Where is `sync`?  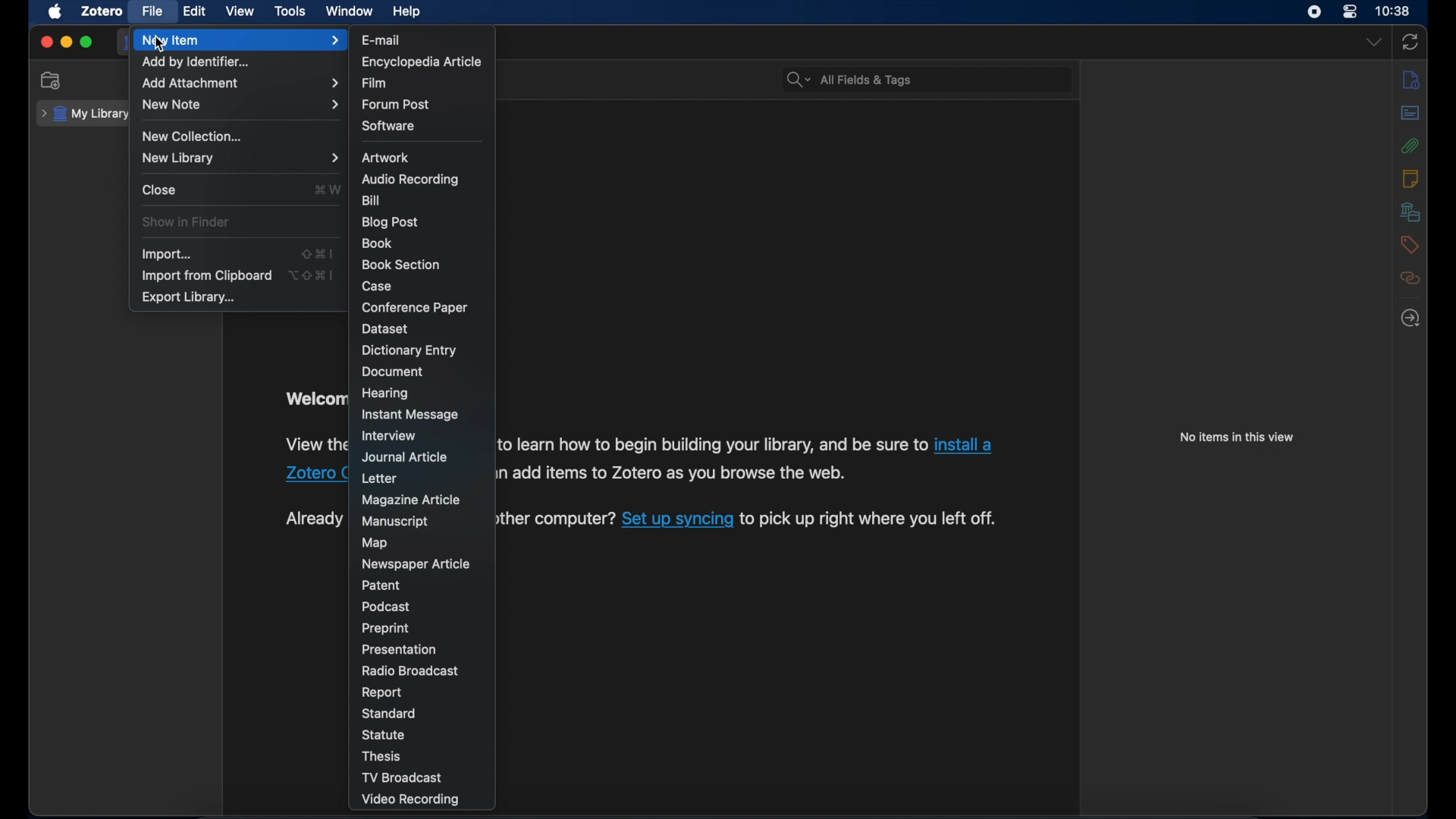
sync is located at coordinates (1410, 42).